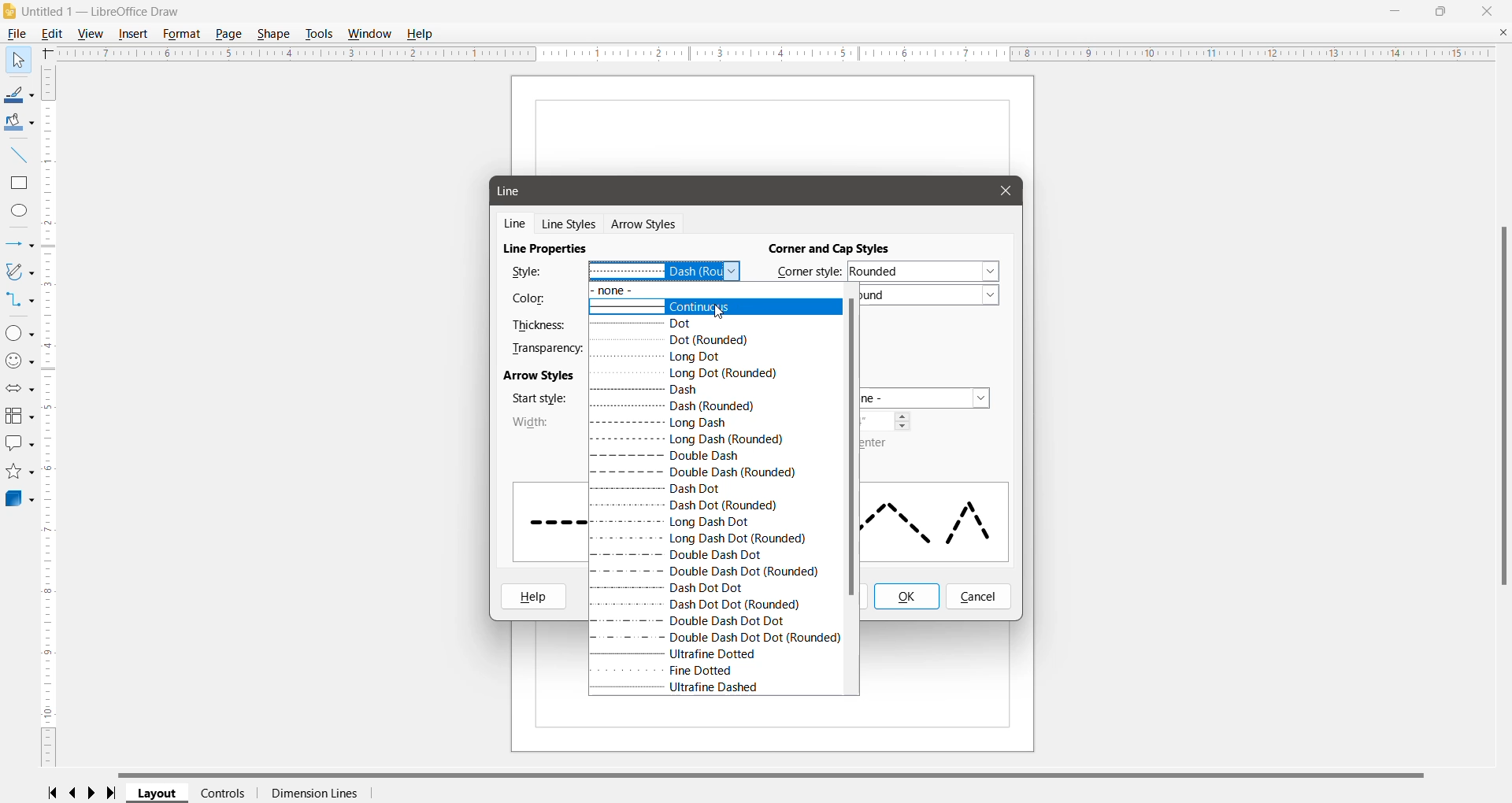 The width and height of the screenshot is (1512, 803). What do you see at coordinates (20, 60) in the screenshot?
I see `Select Tool` at bounding box center [20, 60].